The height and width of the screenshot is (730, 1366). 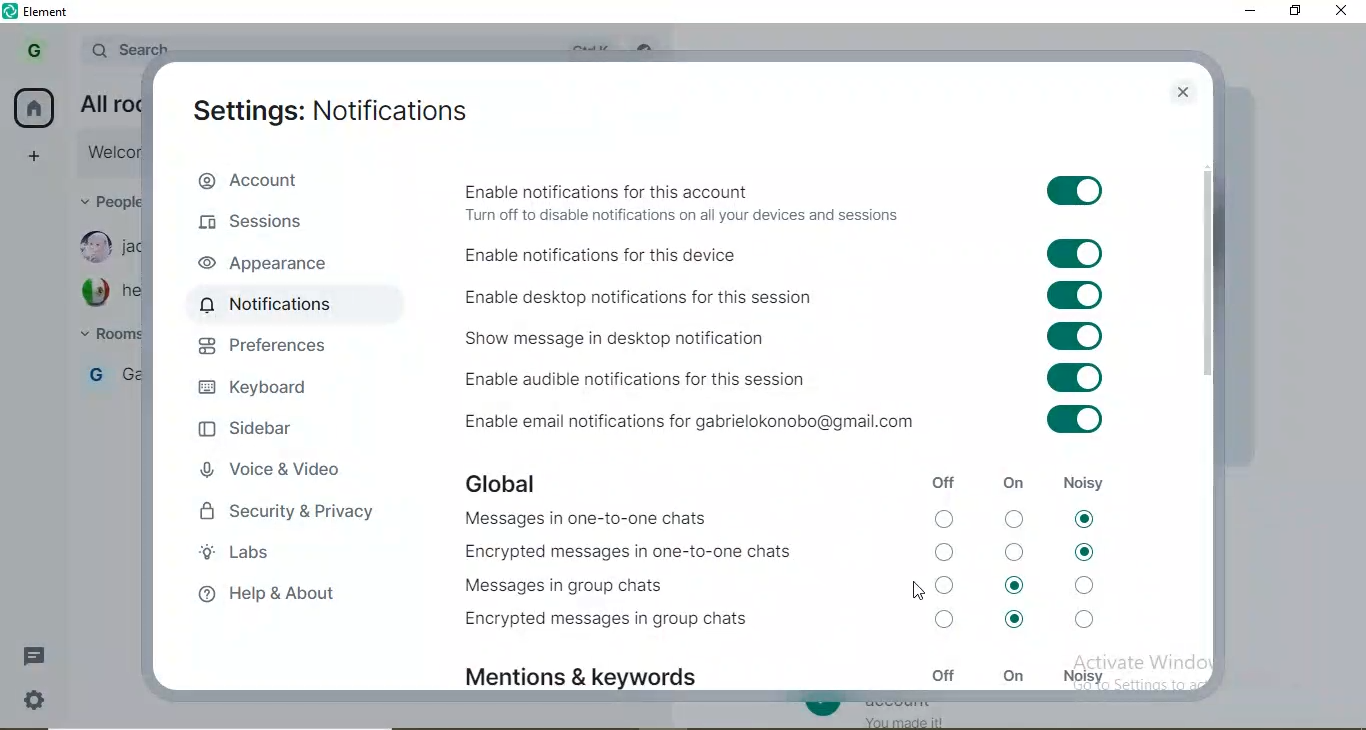 What do you see at coordinates (1074, 251) in the screenshot?
I see `toggle` at bounding box center [1074, 251].